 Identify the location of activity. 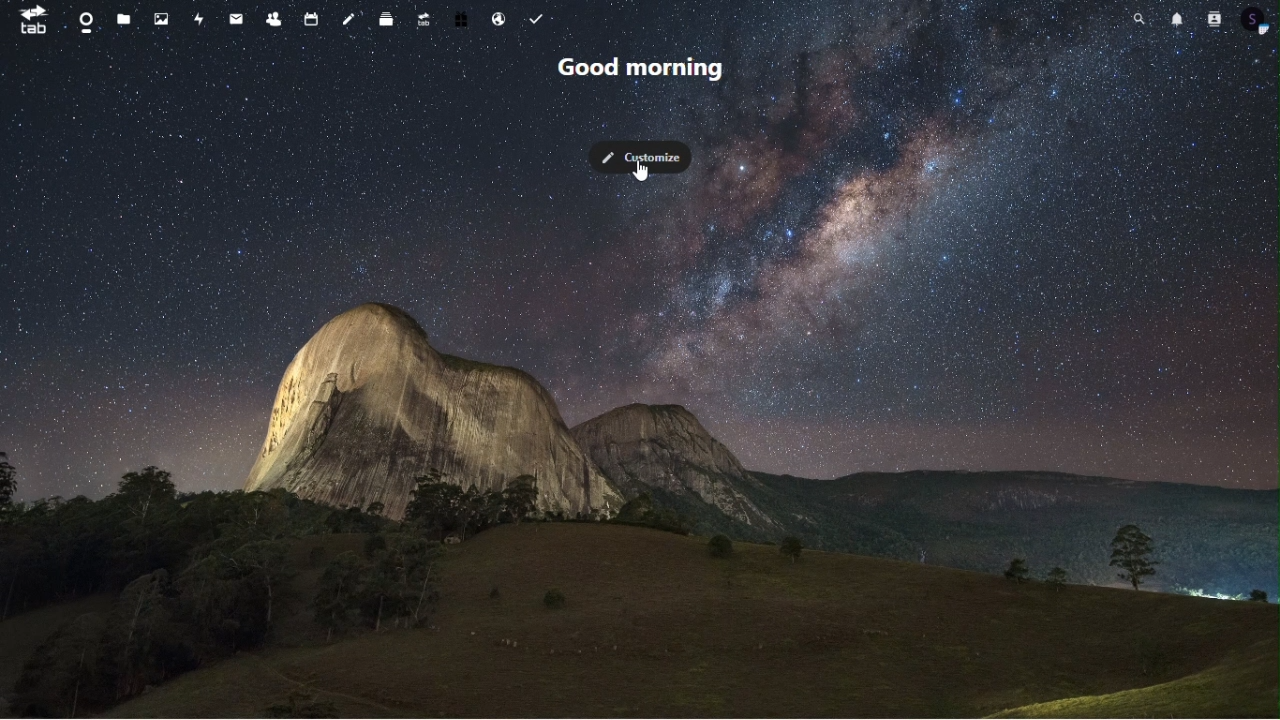
(200, 21).